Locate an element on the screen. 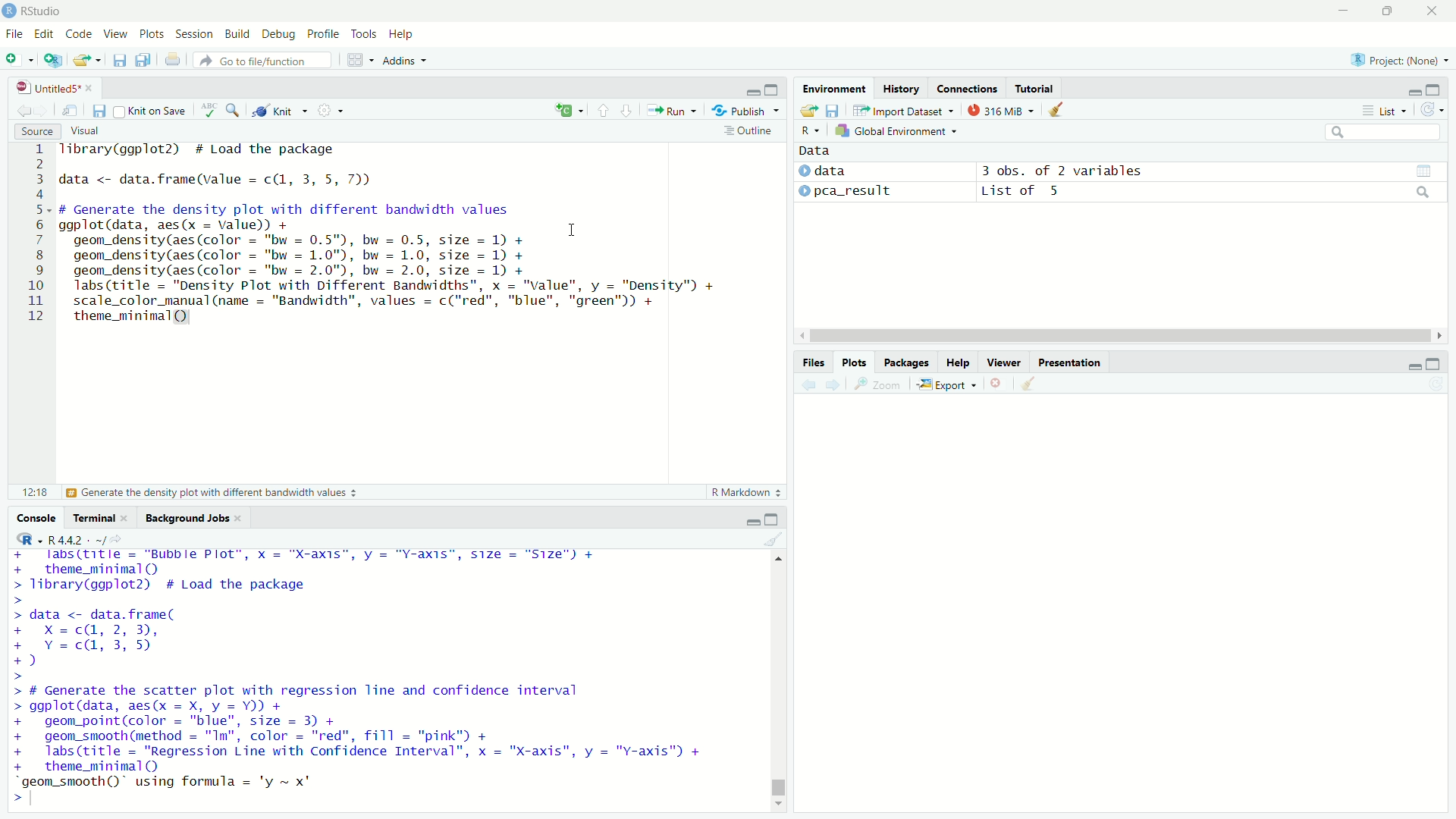 This screenshot has height=819, width=1456. Save workspace as is located at coordinates (833, 110).